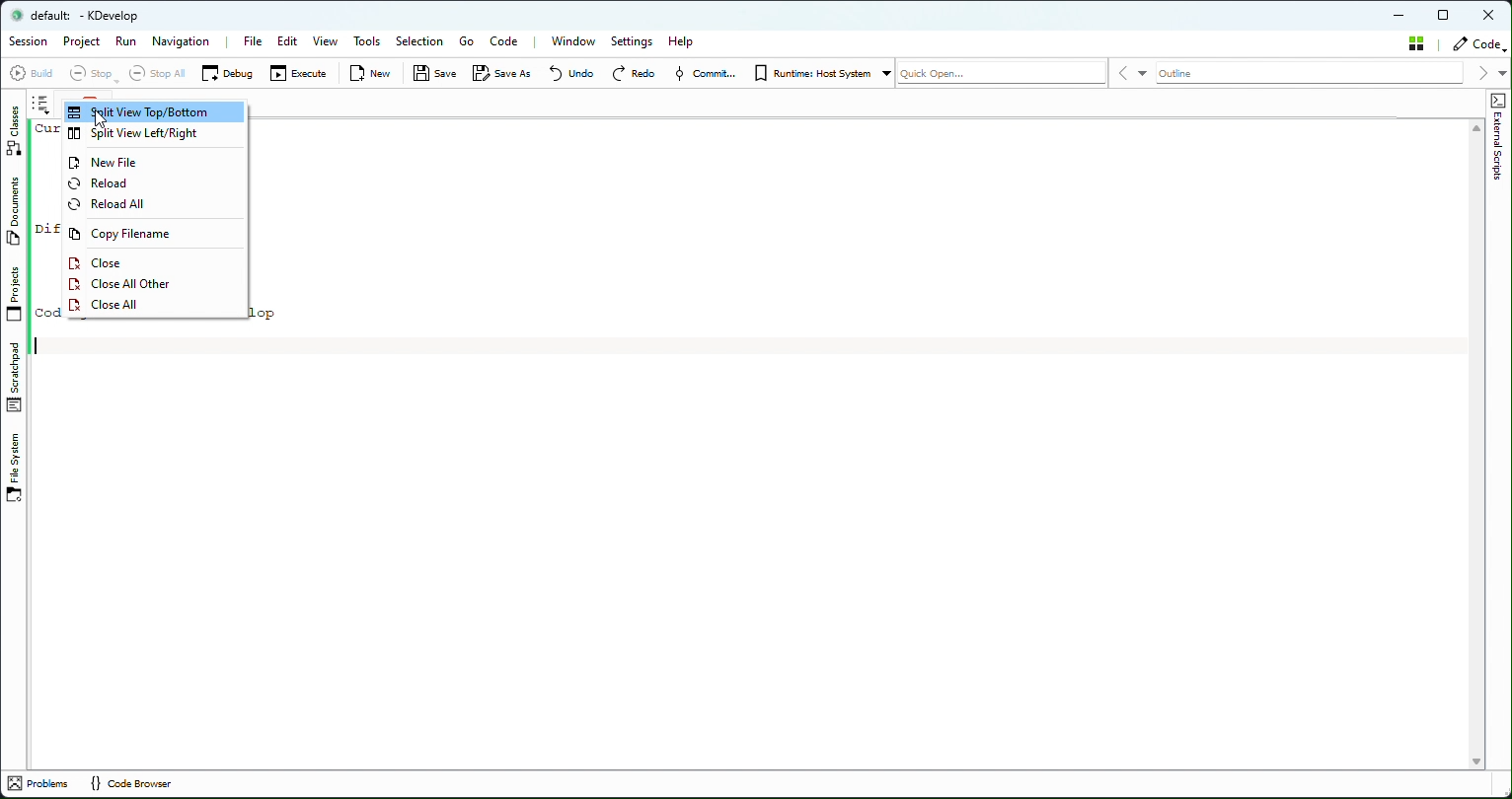  Describe the element at coordinates (1004, 73) in the screenshot. I see `Quick open` at that location.